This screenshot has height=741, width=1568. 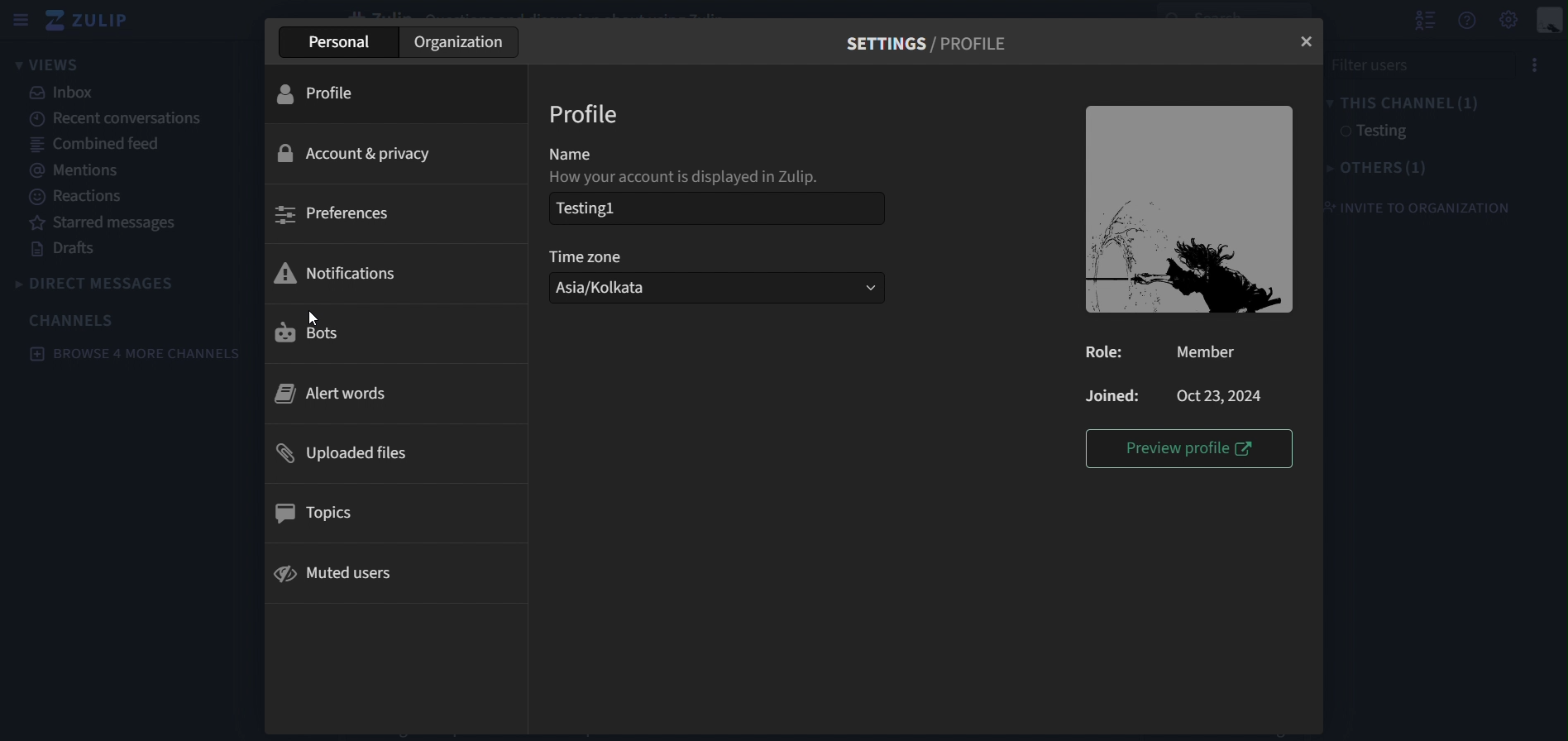 What do you see at coordinates (462, 44) in the screenshot?
I see `organization` at bounding box center [462, 44].